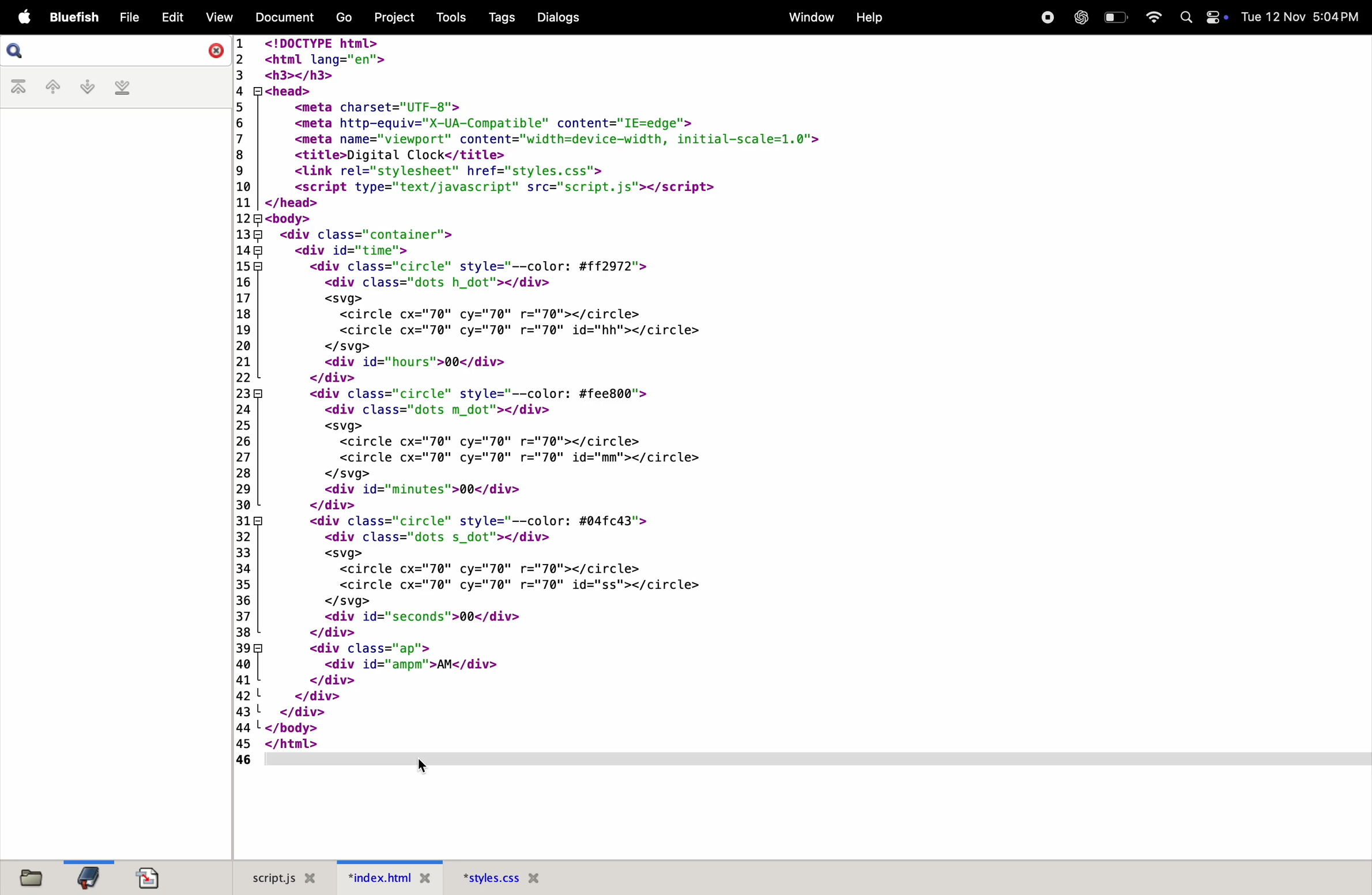  I want to click on record, so click(1045, 17).